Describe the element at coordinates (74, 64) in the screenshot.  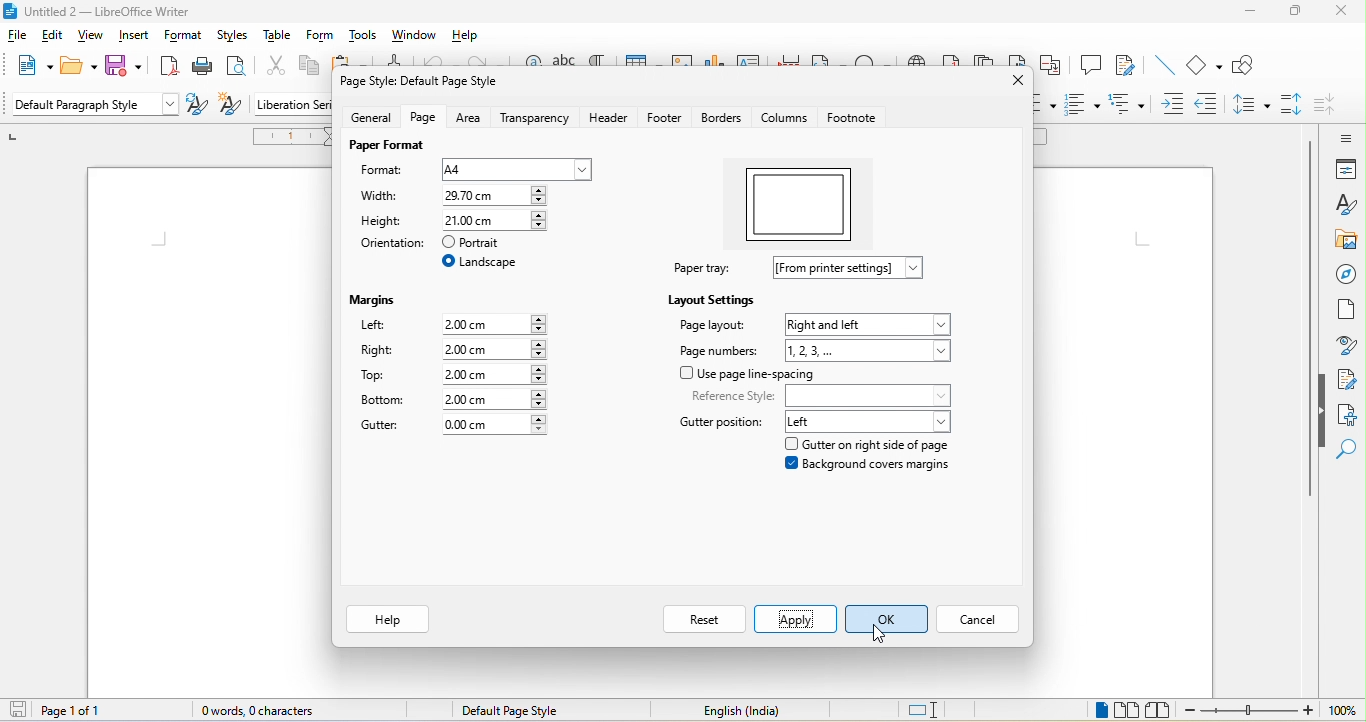
I see `open` at that location.